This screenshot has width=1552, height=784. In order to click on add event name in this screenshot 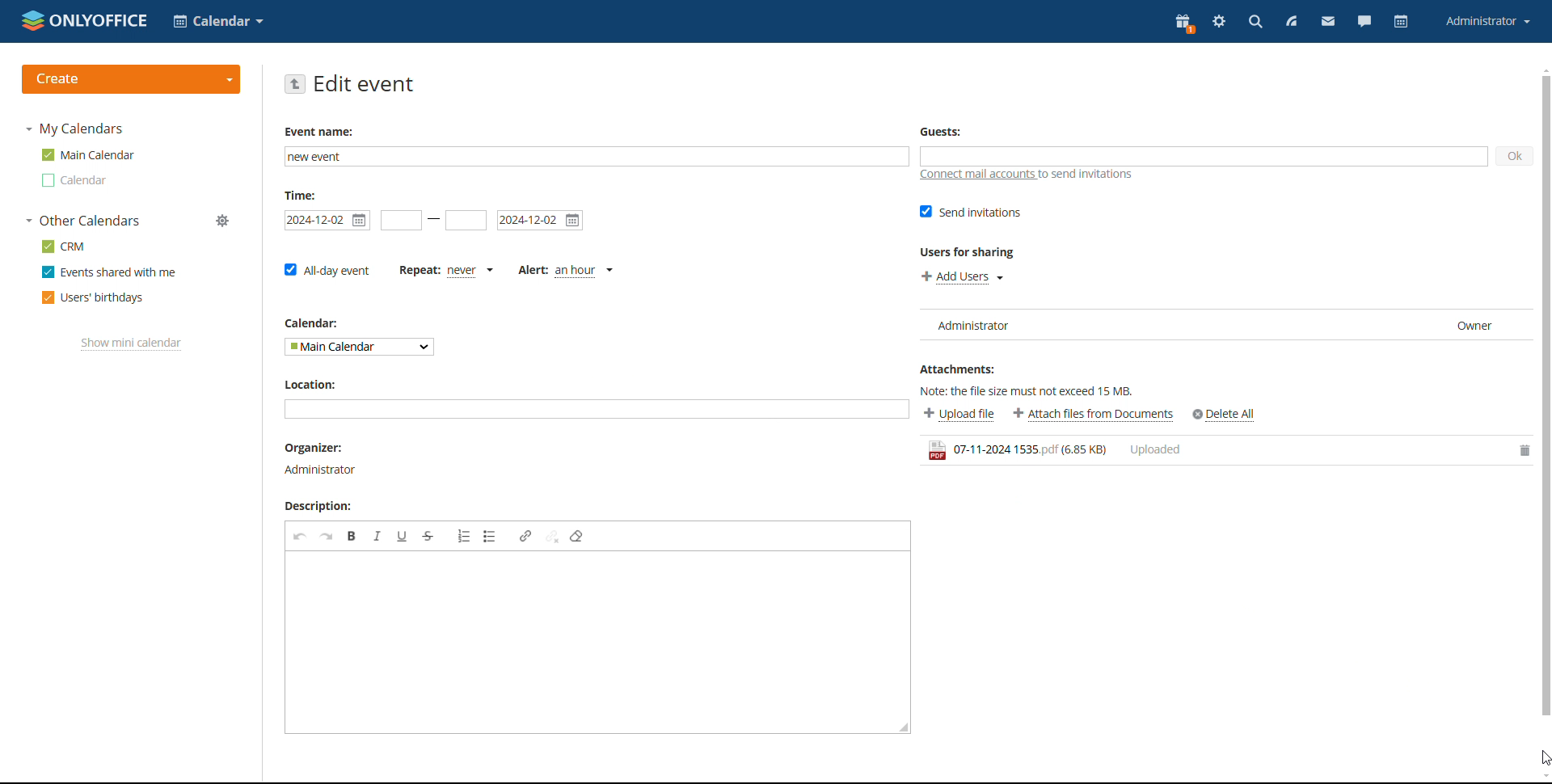, I will do `click(597, 157)`.